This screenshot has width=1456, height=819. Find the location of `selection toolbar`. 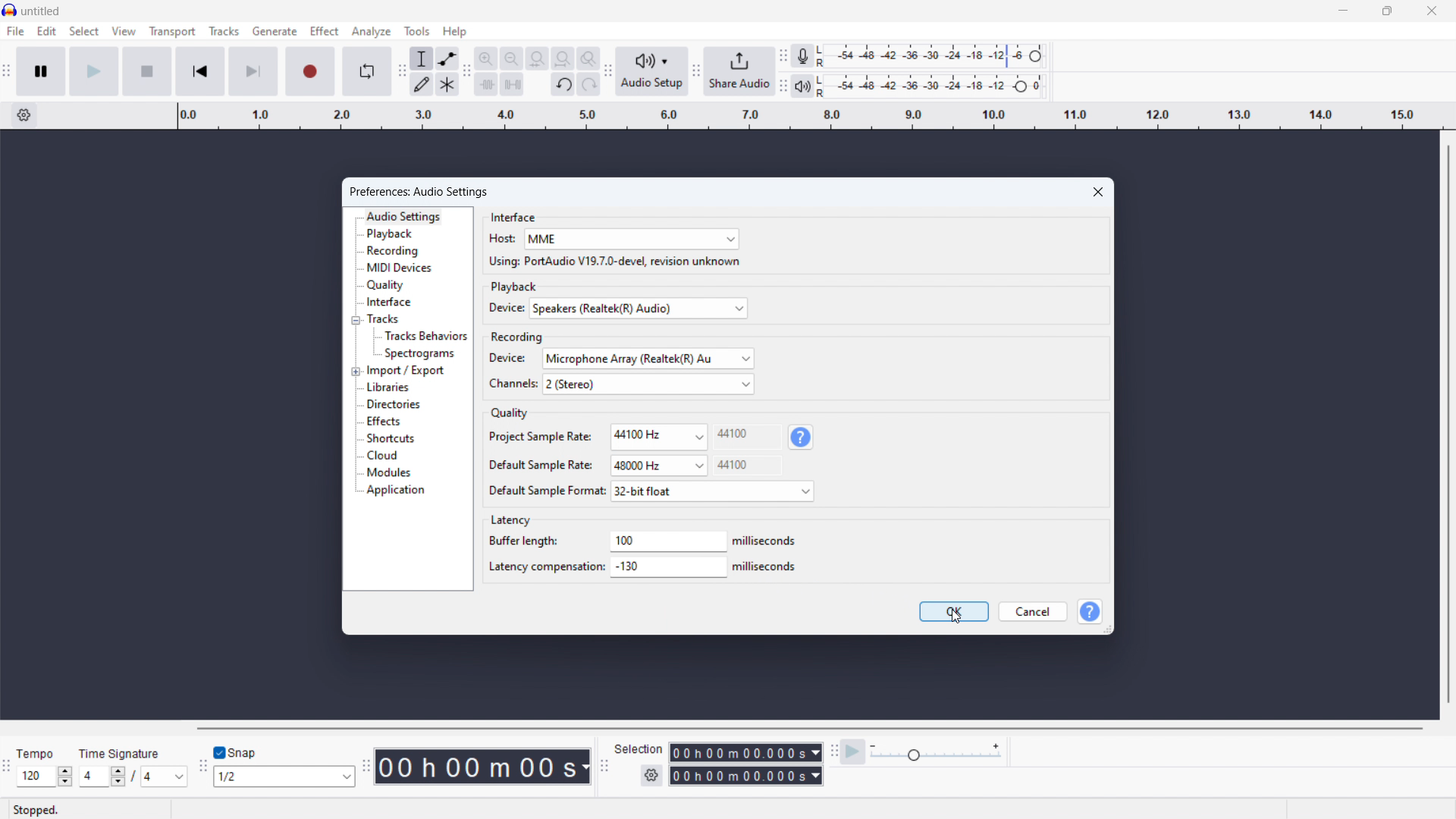

selection toolbar is located at coordinates (604, 767).